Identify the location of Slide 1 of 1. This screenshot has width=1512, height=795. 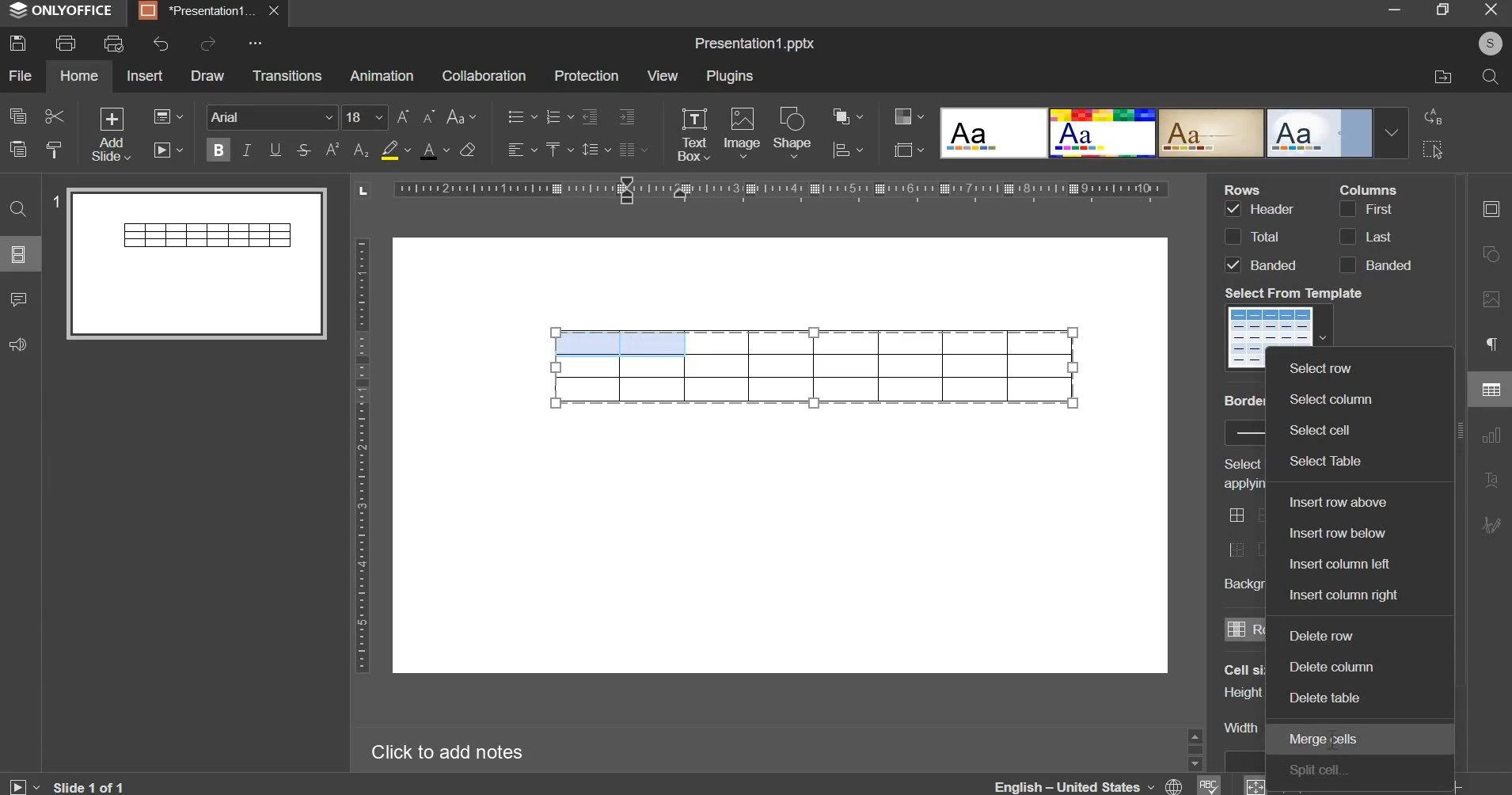
(66, 786).